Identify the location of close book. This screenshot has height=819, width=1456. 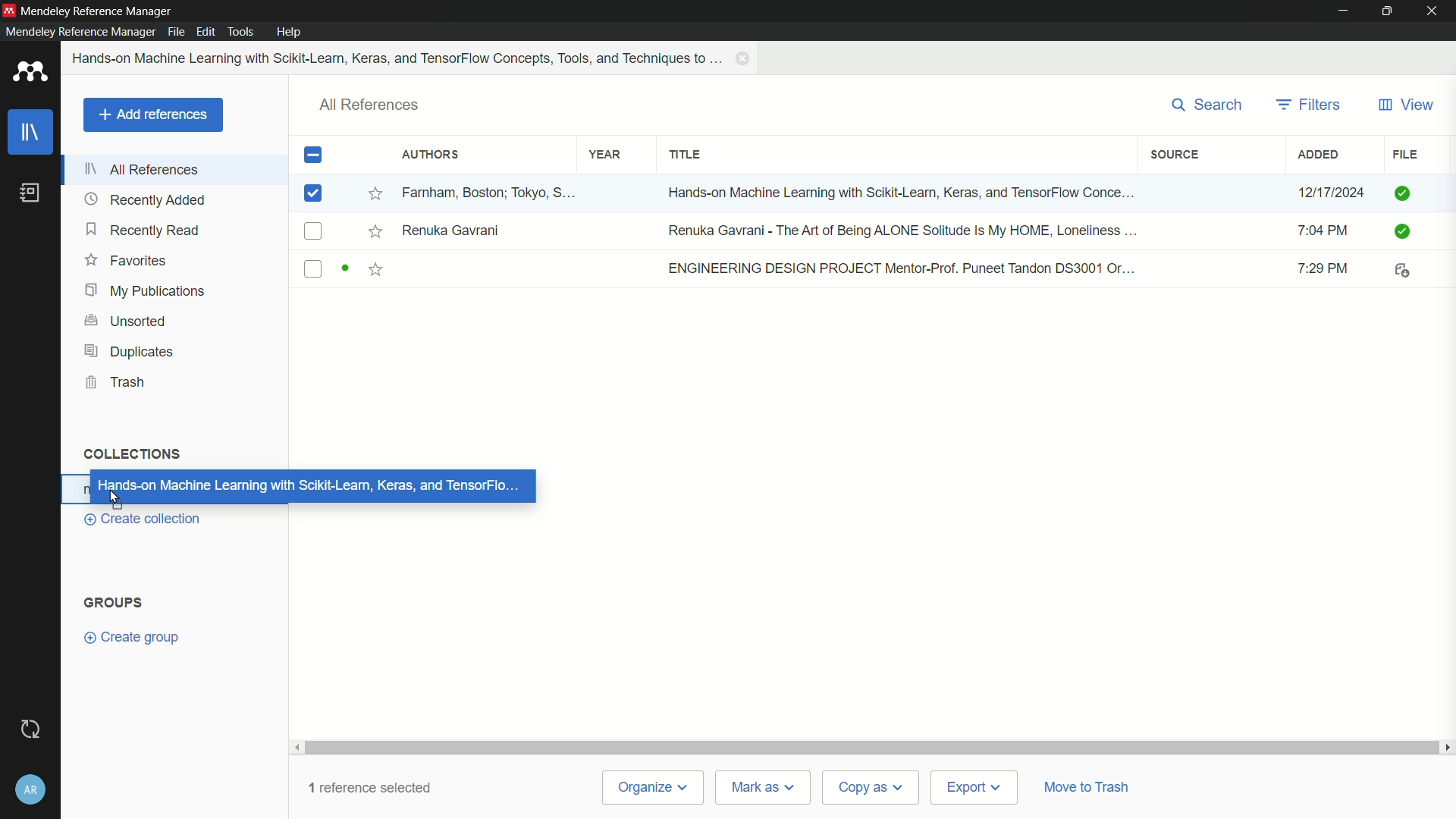
(745, 58).